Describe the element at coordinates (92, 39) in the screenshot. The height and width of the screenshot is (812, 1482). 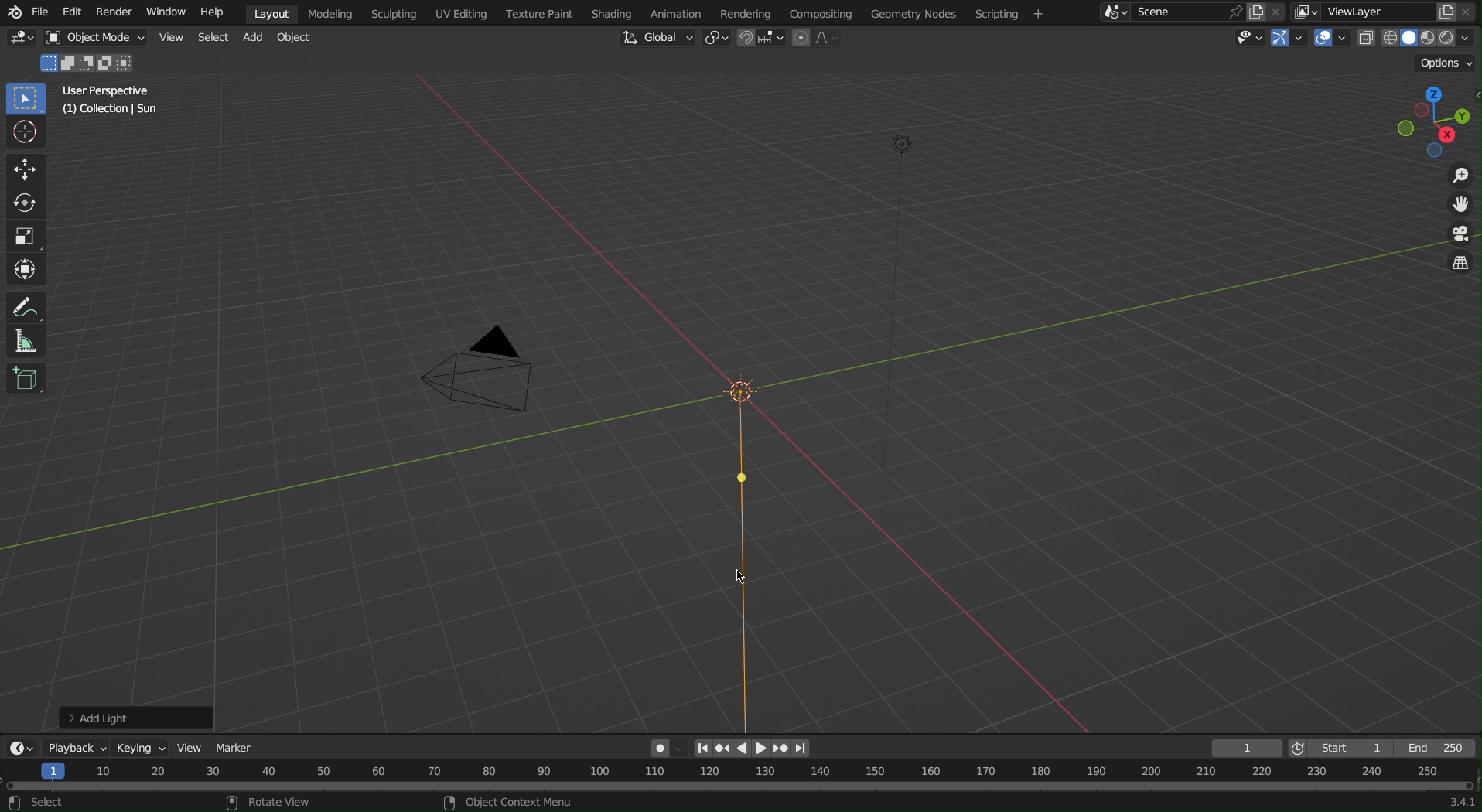
I see `Object Mode` at that location.